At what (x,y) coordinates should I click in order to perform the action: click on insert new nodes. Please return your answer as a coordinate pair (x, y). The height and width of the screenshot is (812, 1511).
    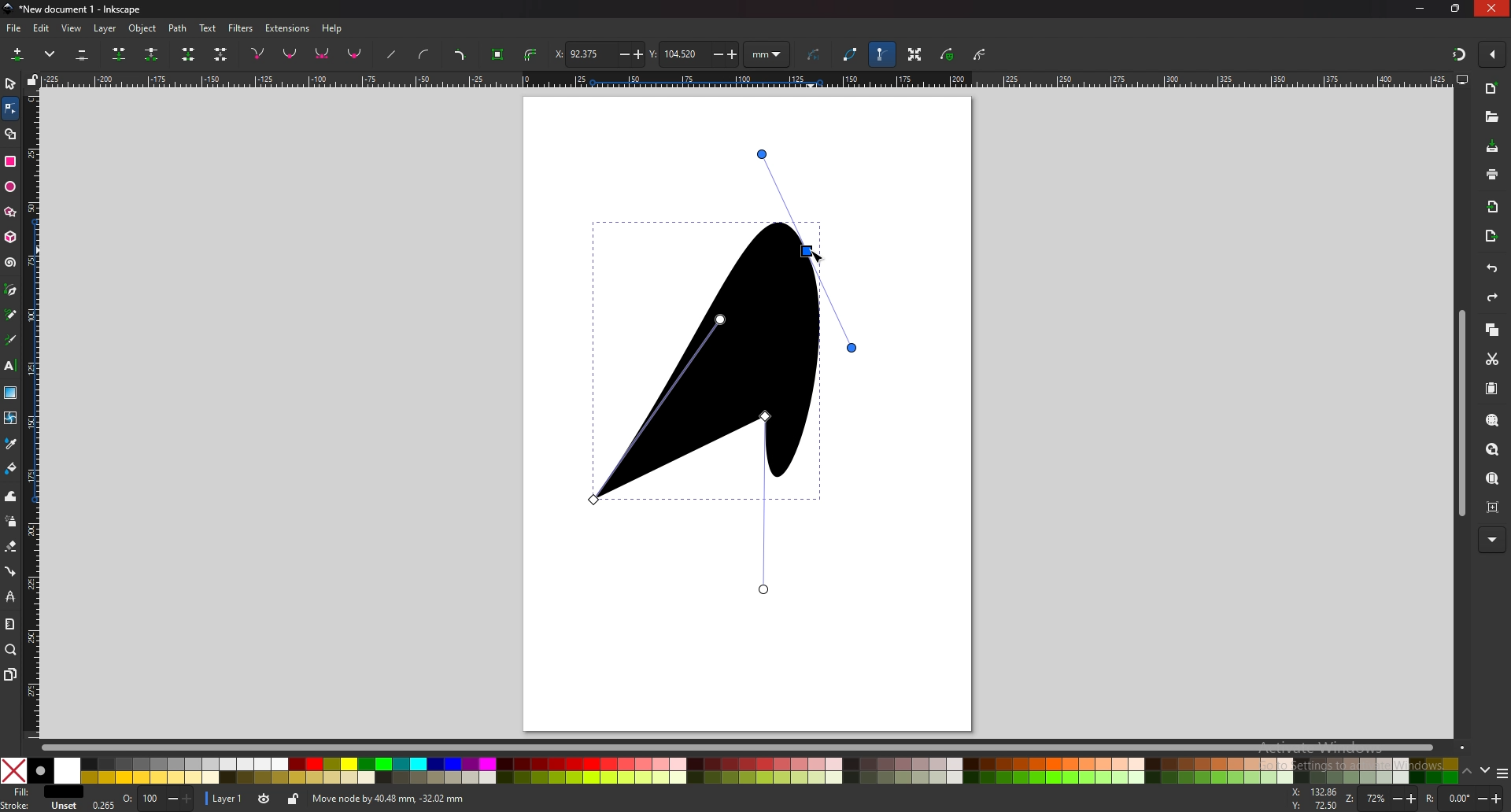
    Looking at the image, I should click on (18, 54).